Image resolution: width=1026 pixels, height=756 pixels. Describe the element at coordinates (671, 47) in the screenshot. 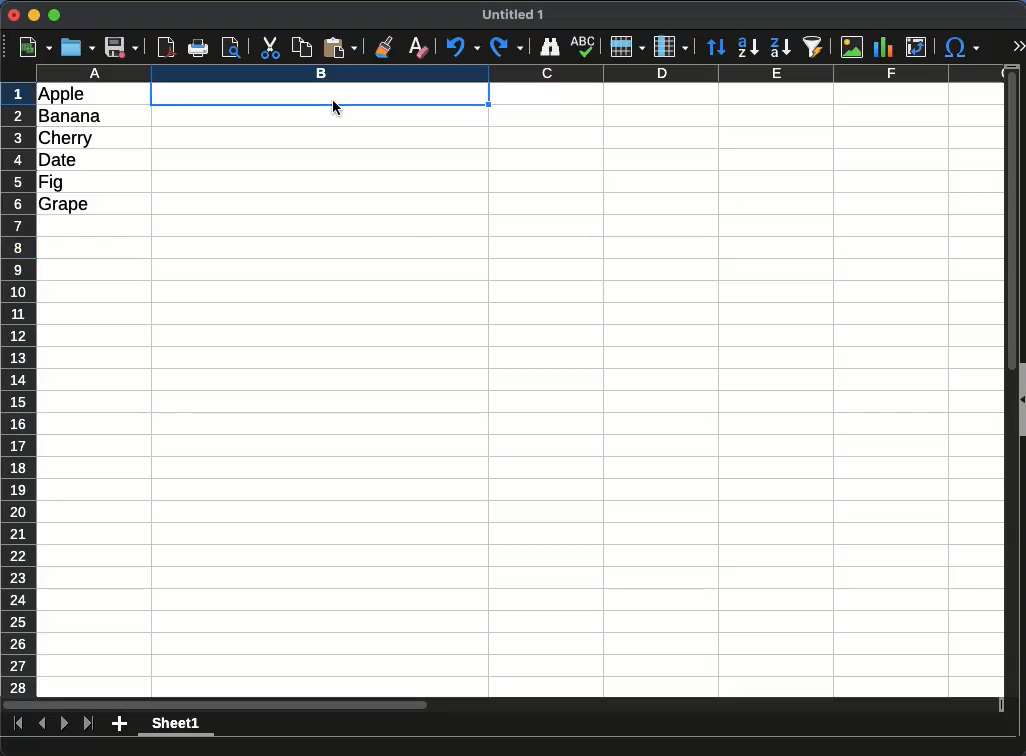

I see `column` at that location.